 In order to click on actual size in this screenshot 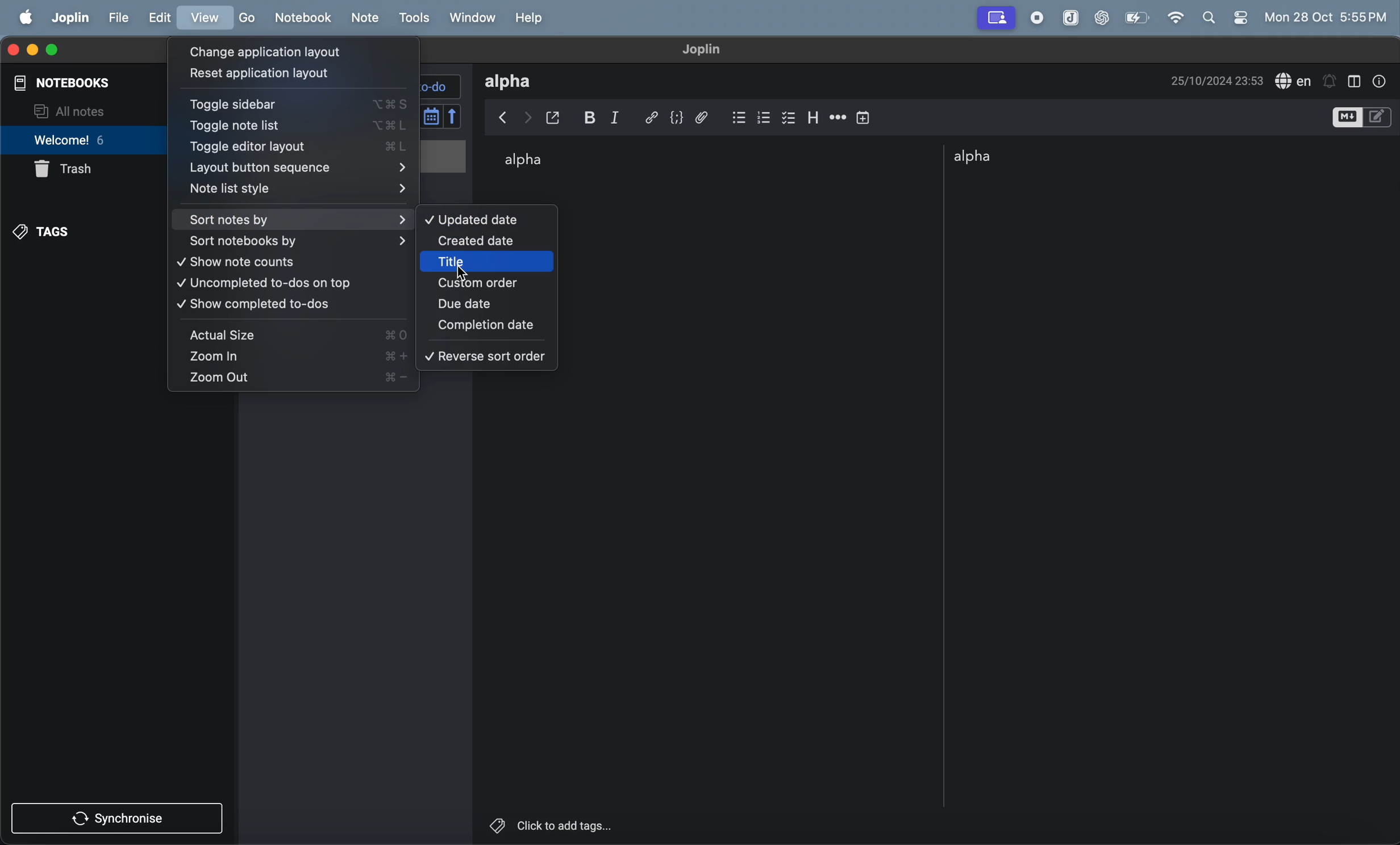, I will do `click(294, 335)`.